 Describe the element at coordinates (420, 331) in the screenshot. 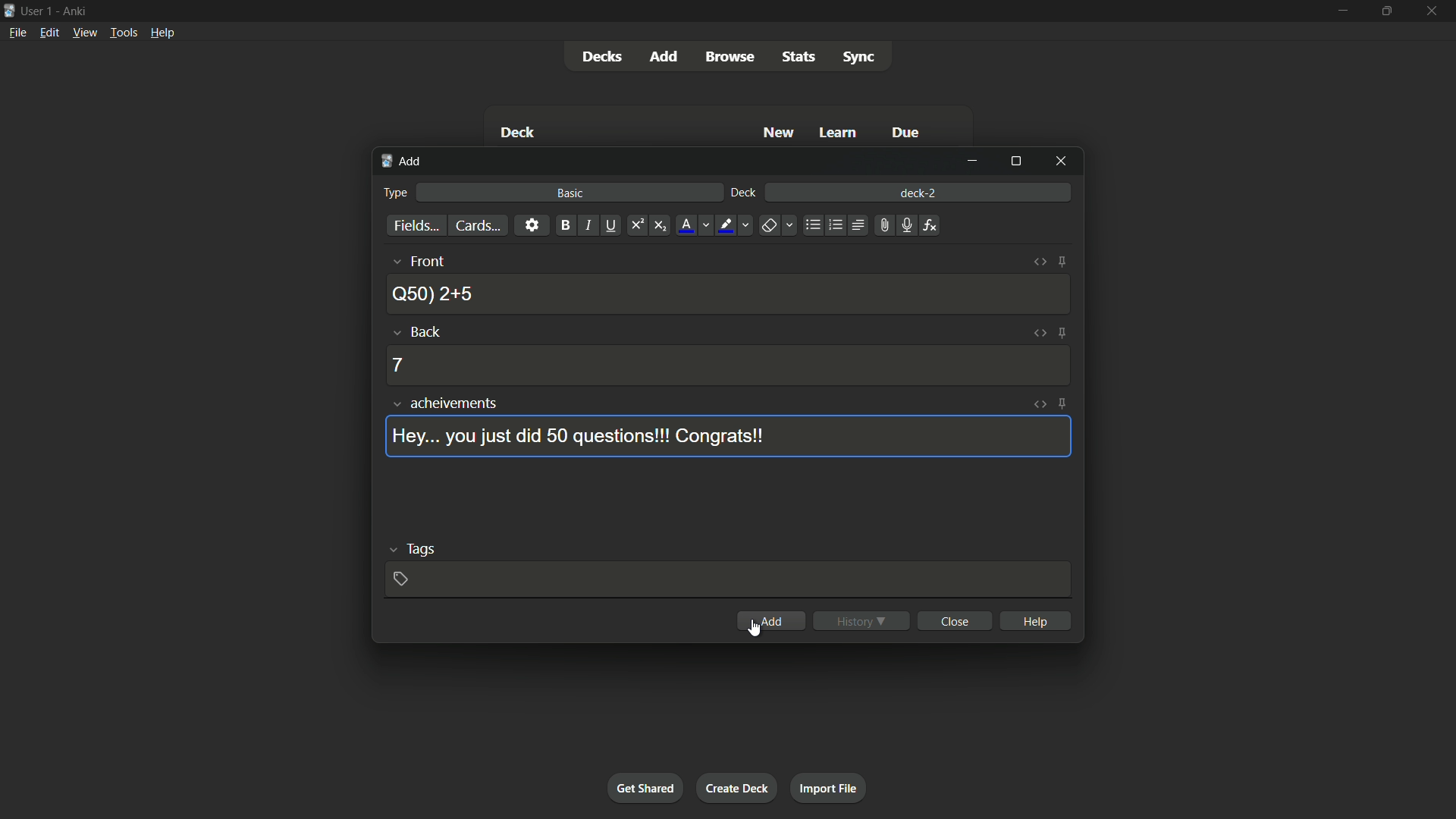

I see `back` at that location.